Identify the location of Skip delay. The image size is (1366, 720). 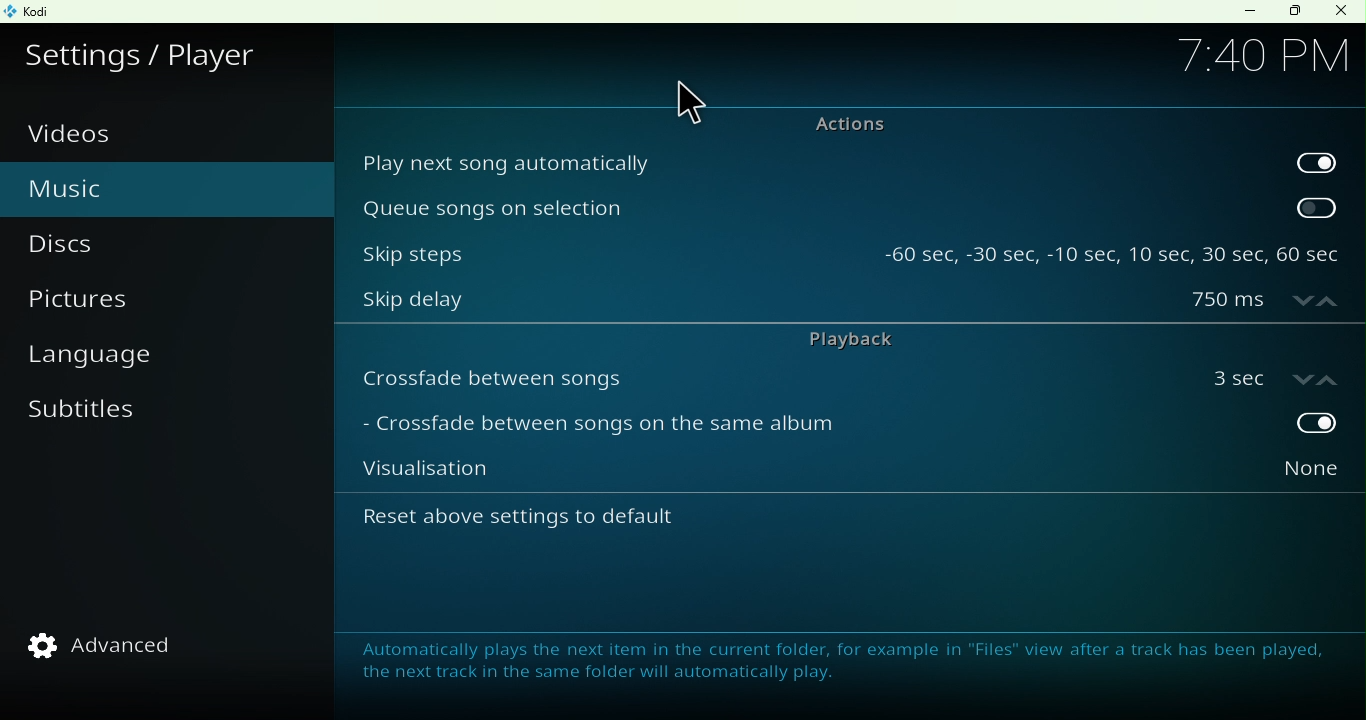
(759, 304).